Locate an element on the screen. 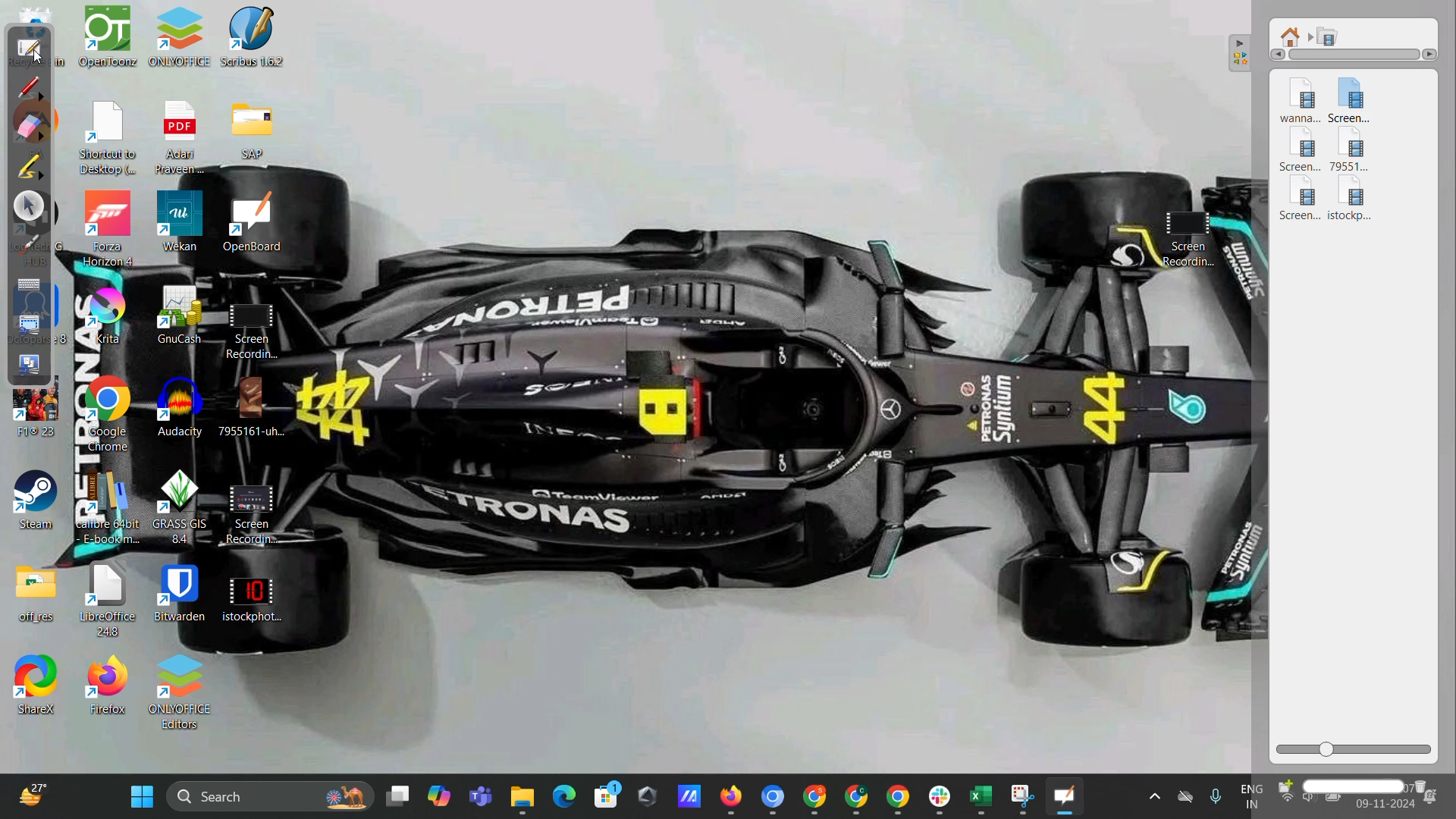  copilot is located at coordinates (438, 799).